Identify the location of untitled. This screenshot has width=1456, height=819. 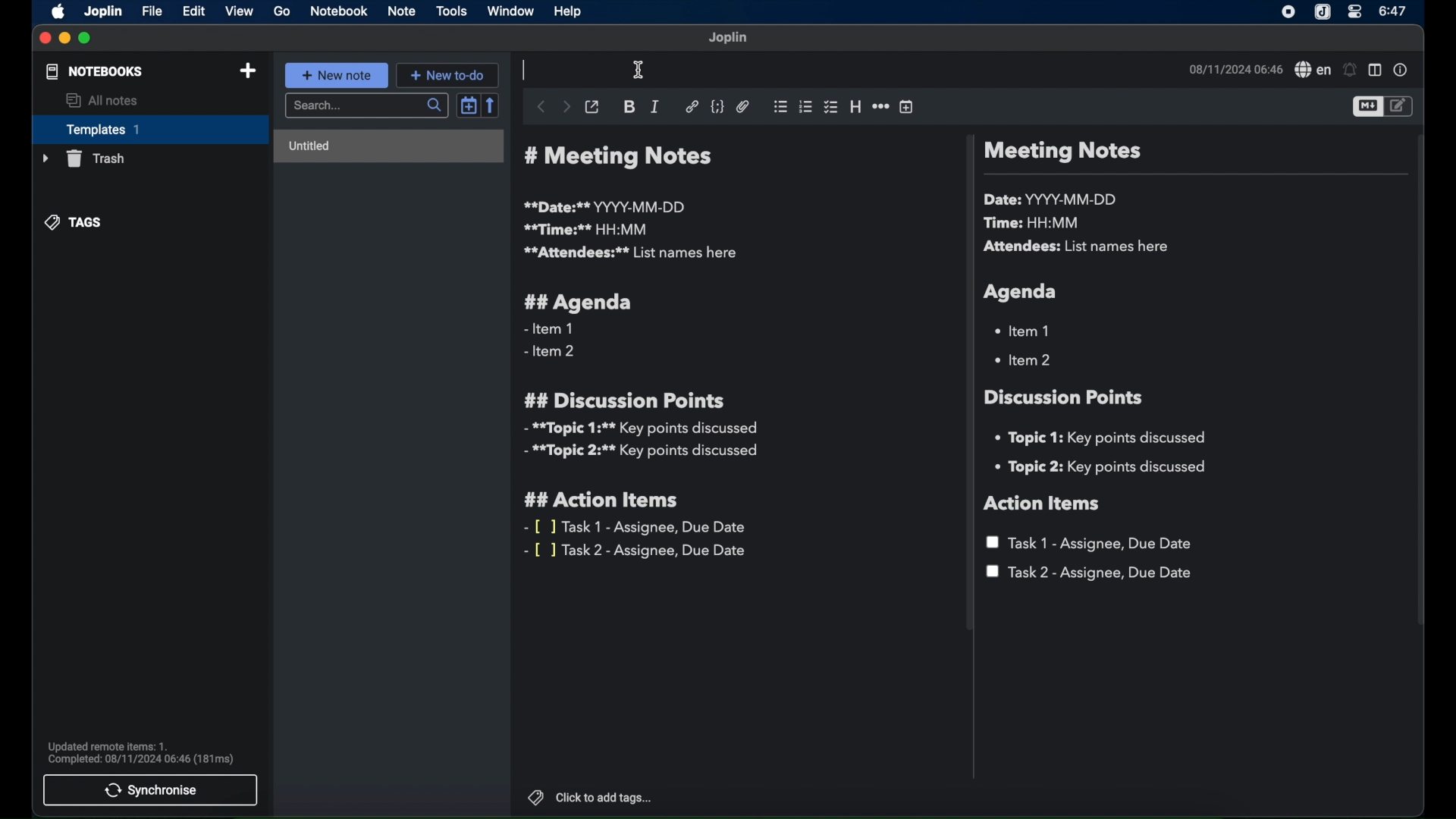
(388, 147).